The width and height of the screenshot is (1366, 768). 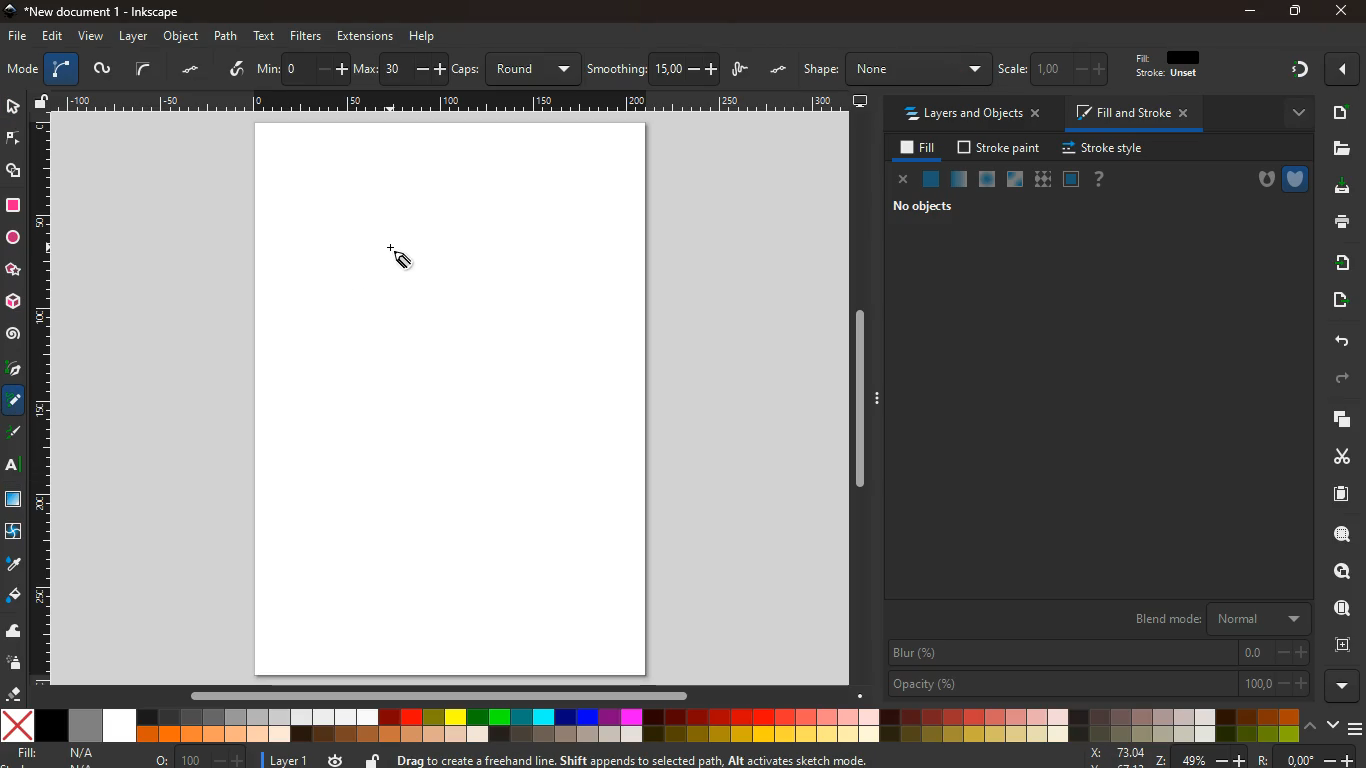 I want to click on more, so click(x=1343, y=686).